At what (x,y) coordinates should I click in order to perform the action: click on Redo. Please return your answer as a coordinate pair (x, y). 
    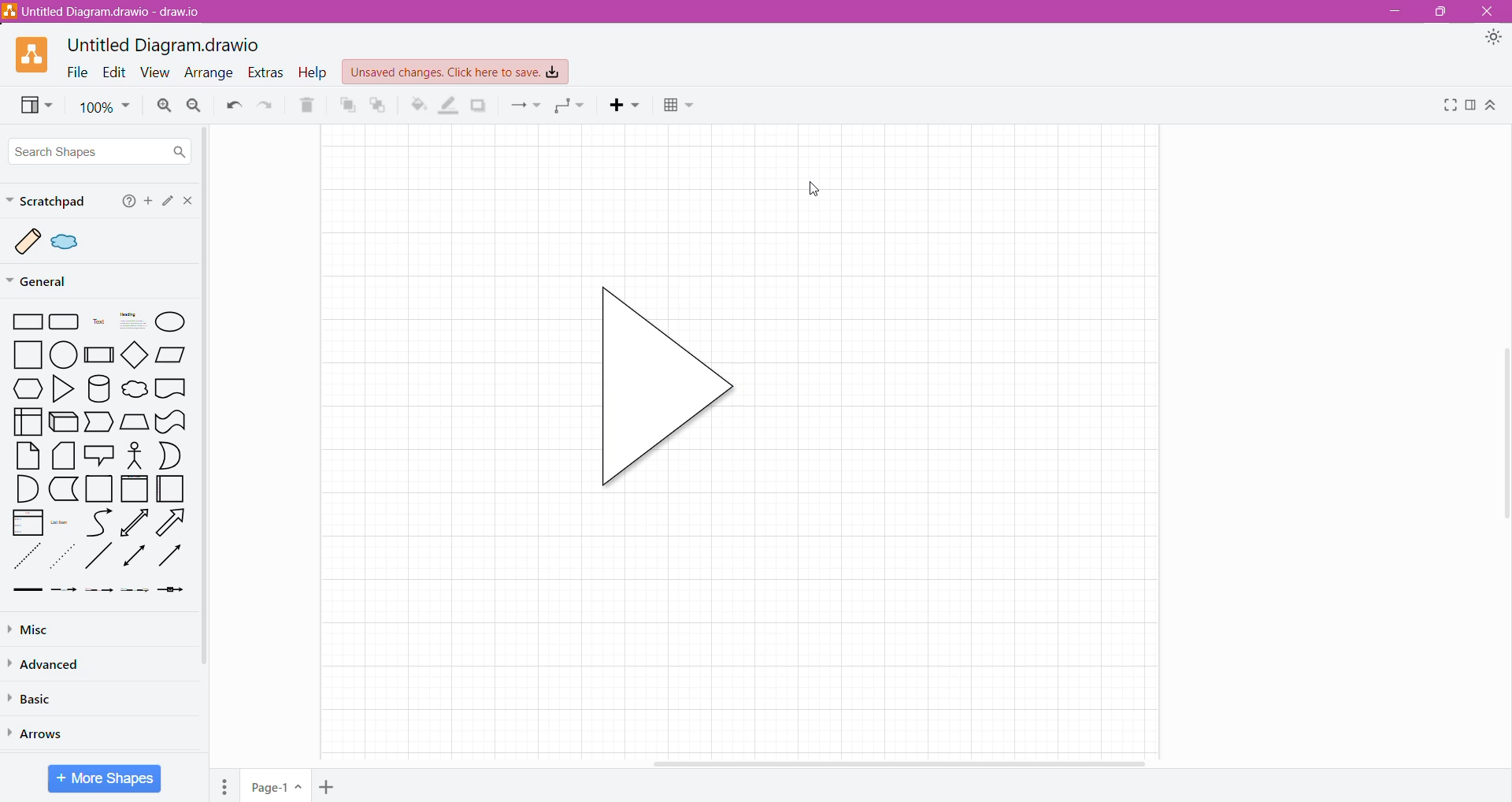
    Looking at the image, I should click on (266, 106).